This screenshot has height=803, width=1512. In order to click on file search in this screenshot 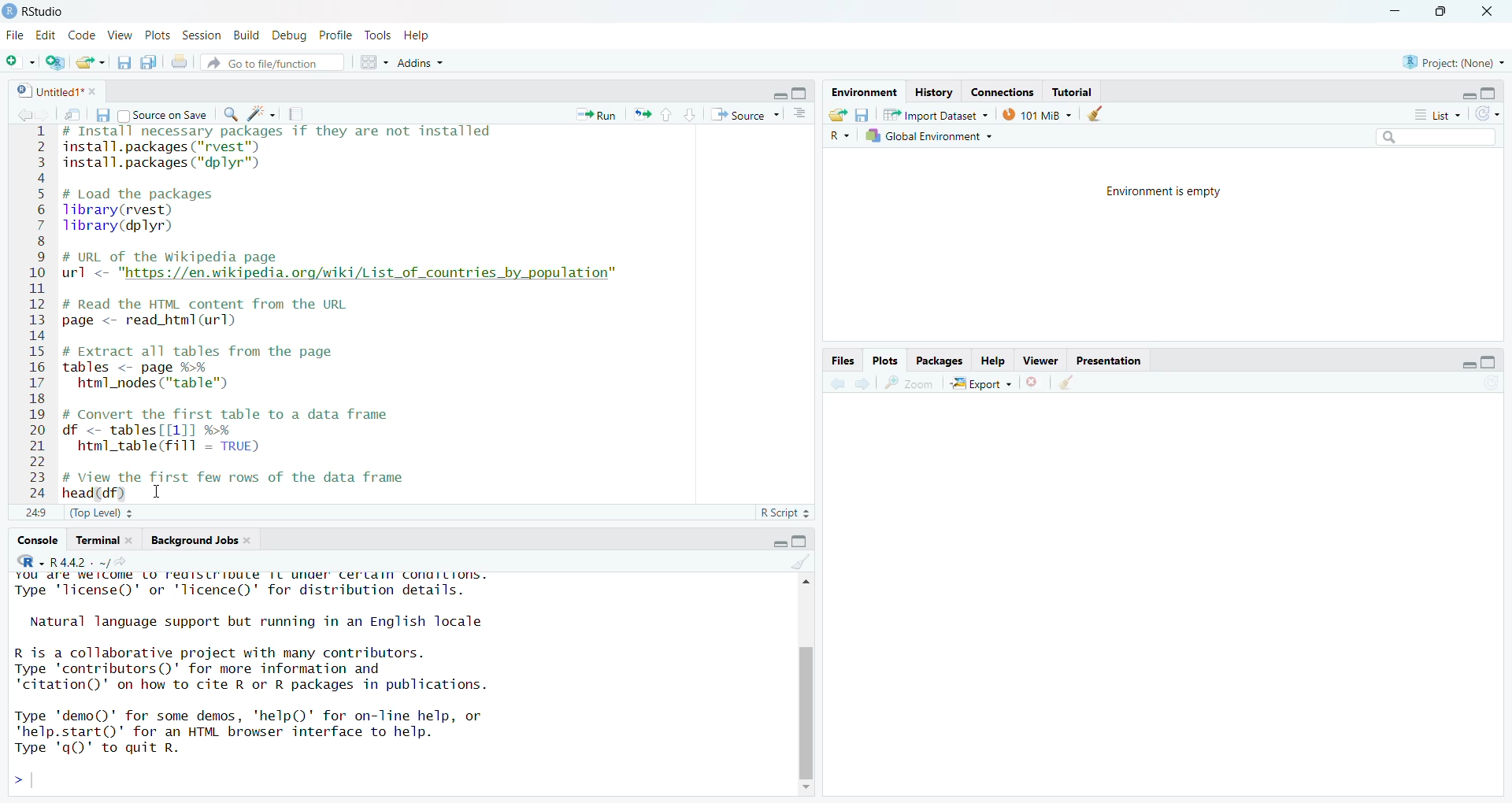, I will do `click(272, 62)`.